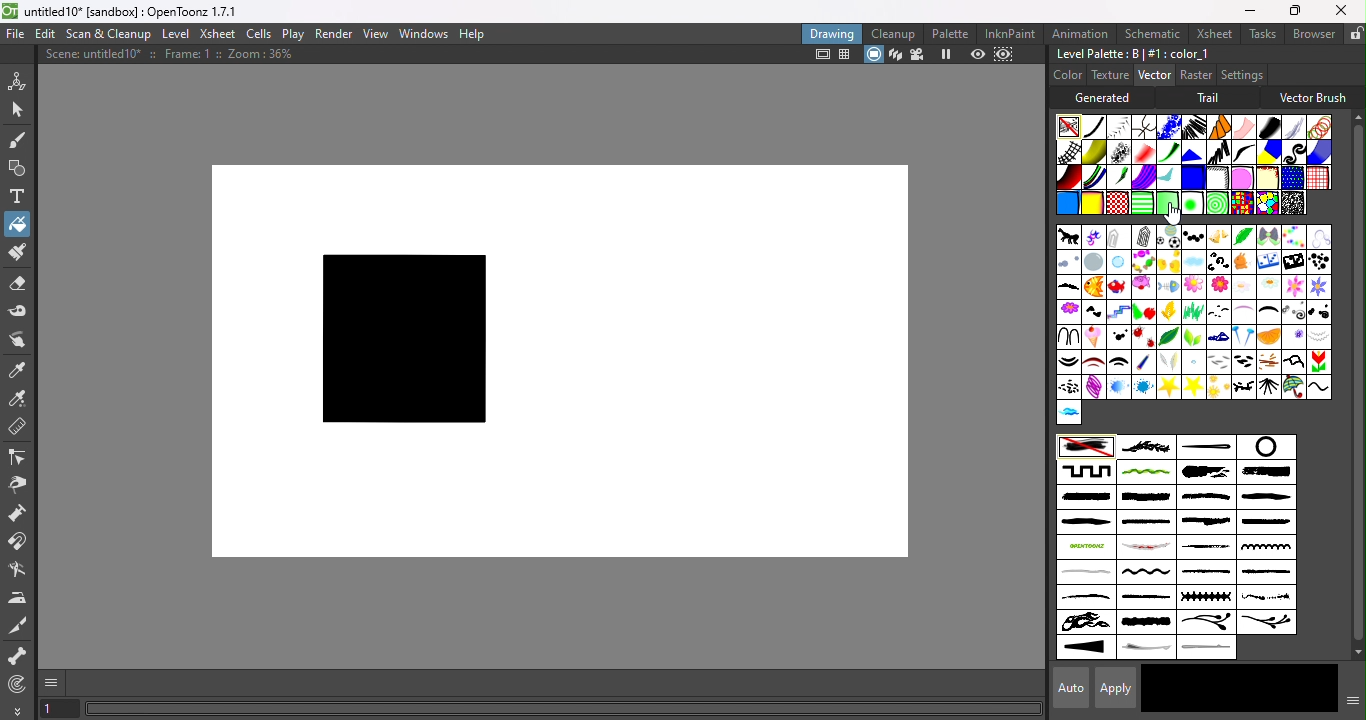 The width and height of the screenshot is (1366, 720). Describe the element at coordinates (1210, 648) in the screenshot. I see `trail_shape2` at that location.